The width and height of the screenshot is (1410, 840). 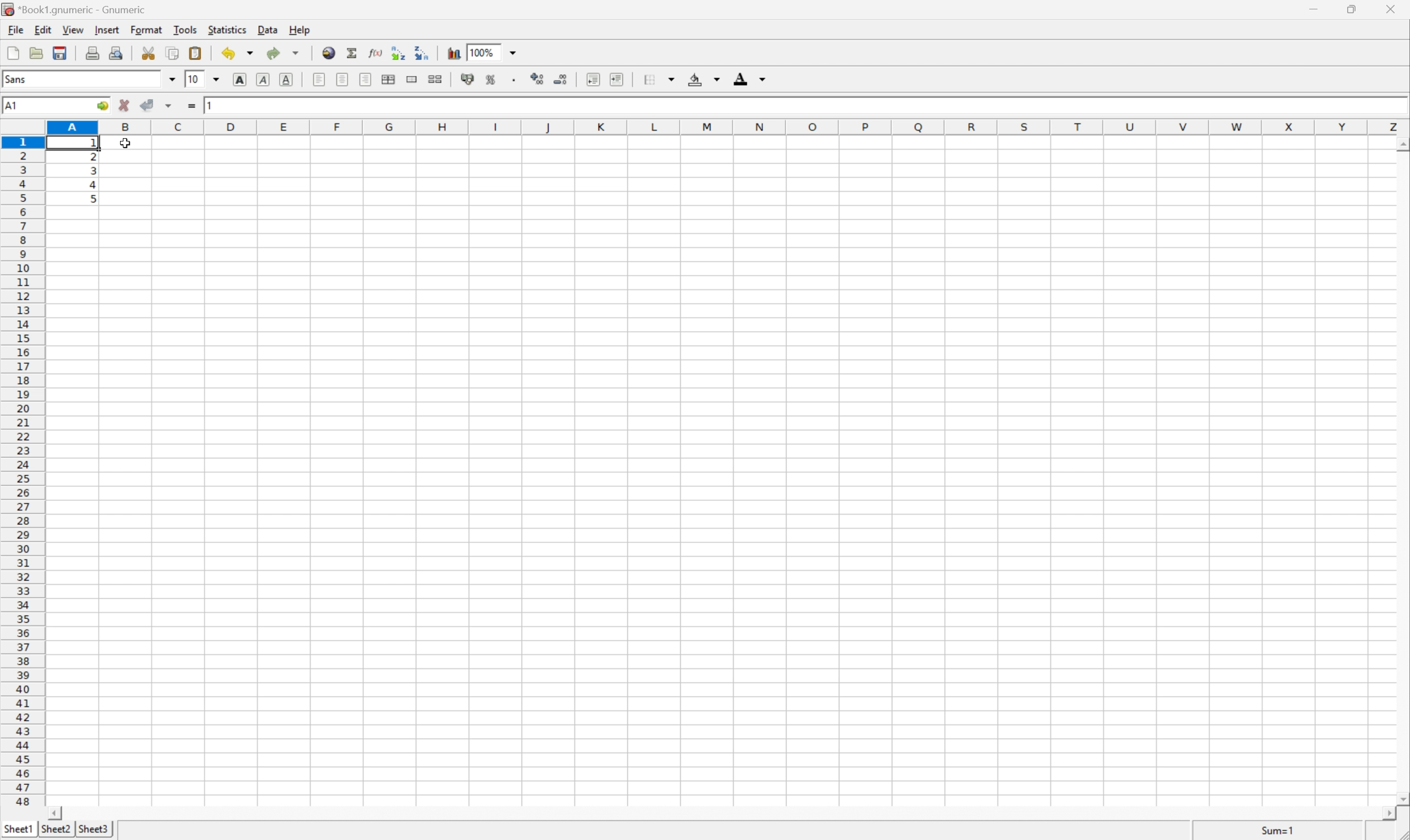 I want to click on Bold, so click(x=239, y=78).